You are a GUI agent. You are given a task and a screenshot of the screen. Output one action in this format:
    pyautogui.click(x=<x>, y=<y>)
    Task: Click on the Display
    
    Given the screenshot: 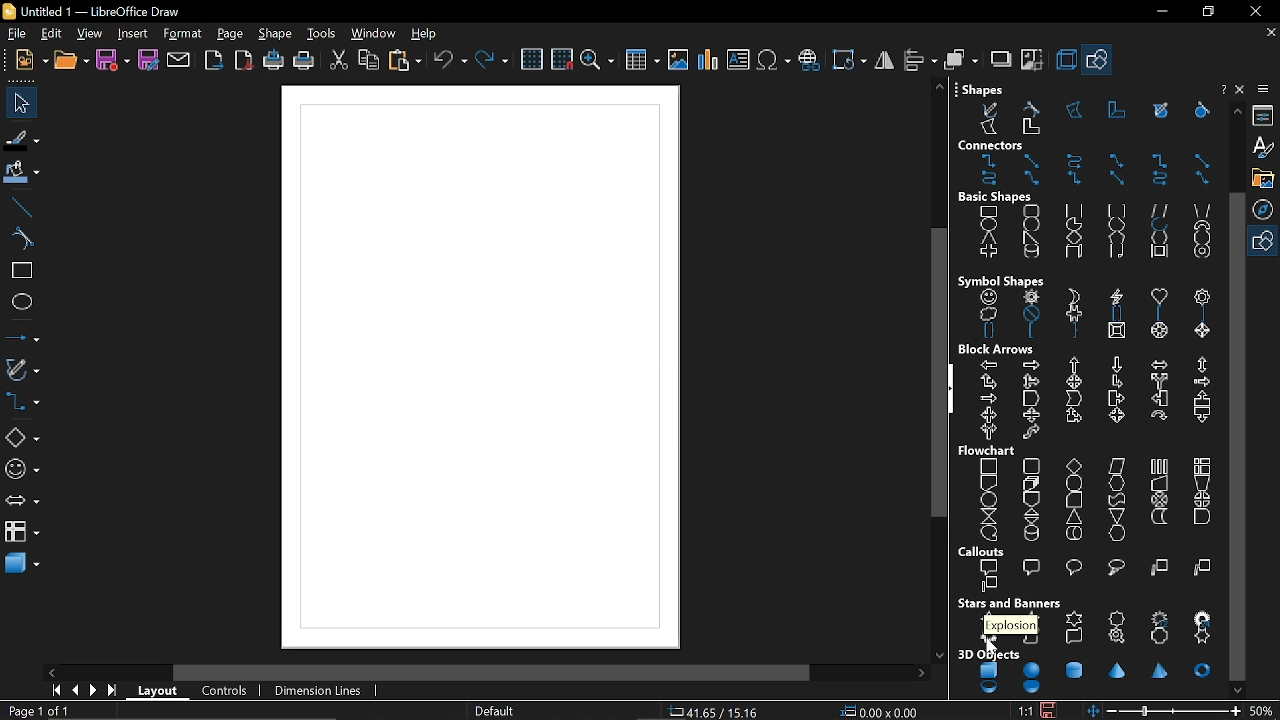 What is the action you would take?
    pyautogui.click(x=478, y=363)
    